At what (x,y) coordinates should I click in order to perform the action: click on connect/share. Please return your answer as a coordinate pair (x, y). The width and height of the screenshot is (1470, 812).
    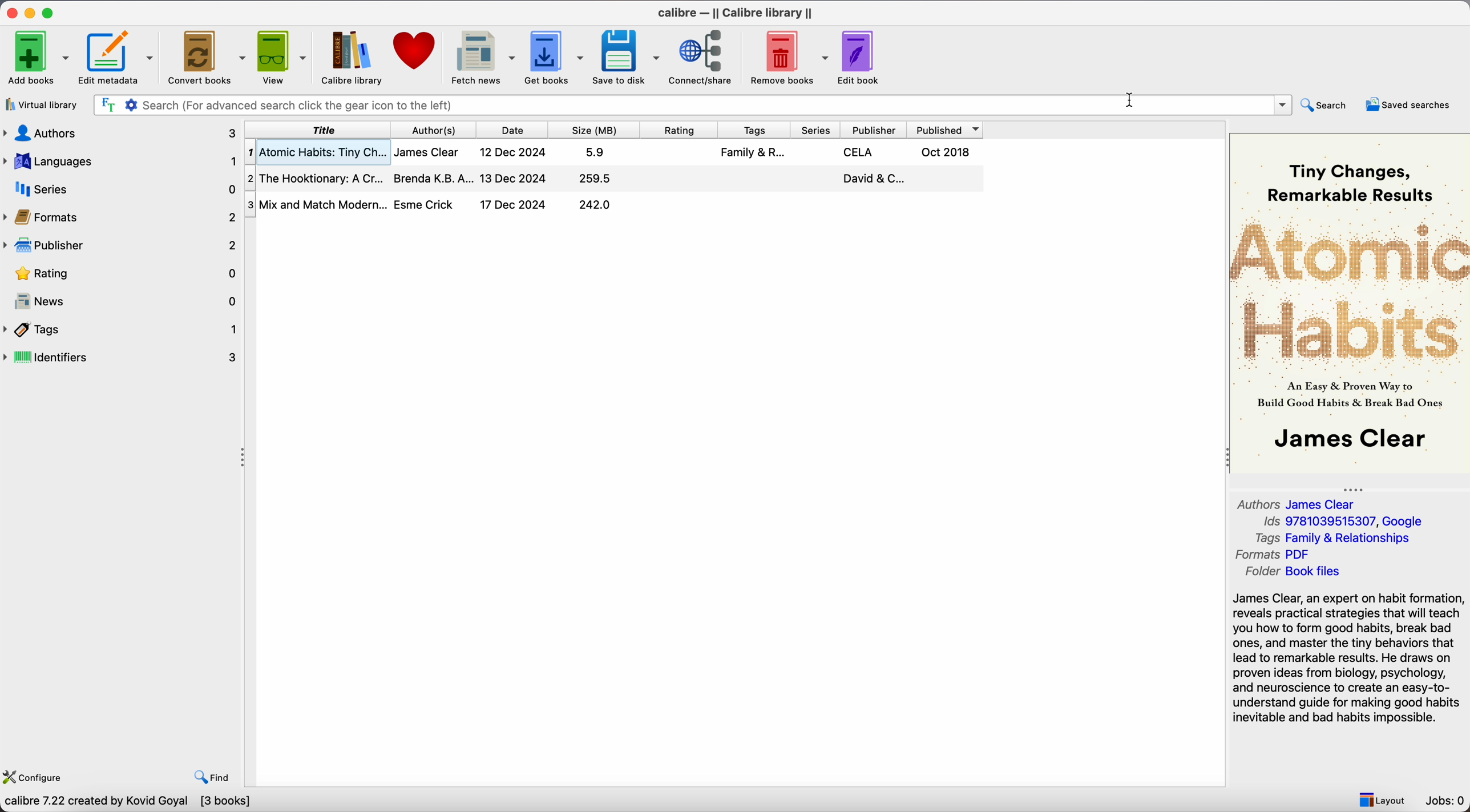
    Looking at the image, I should click on (702, 58).